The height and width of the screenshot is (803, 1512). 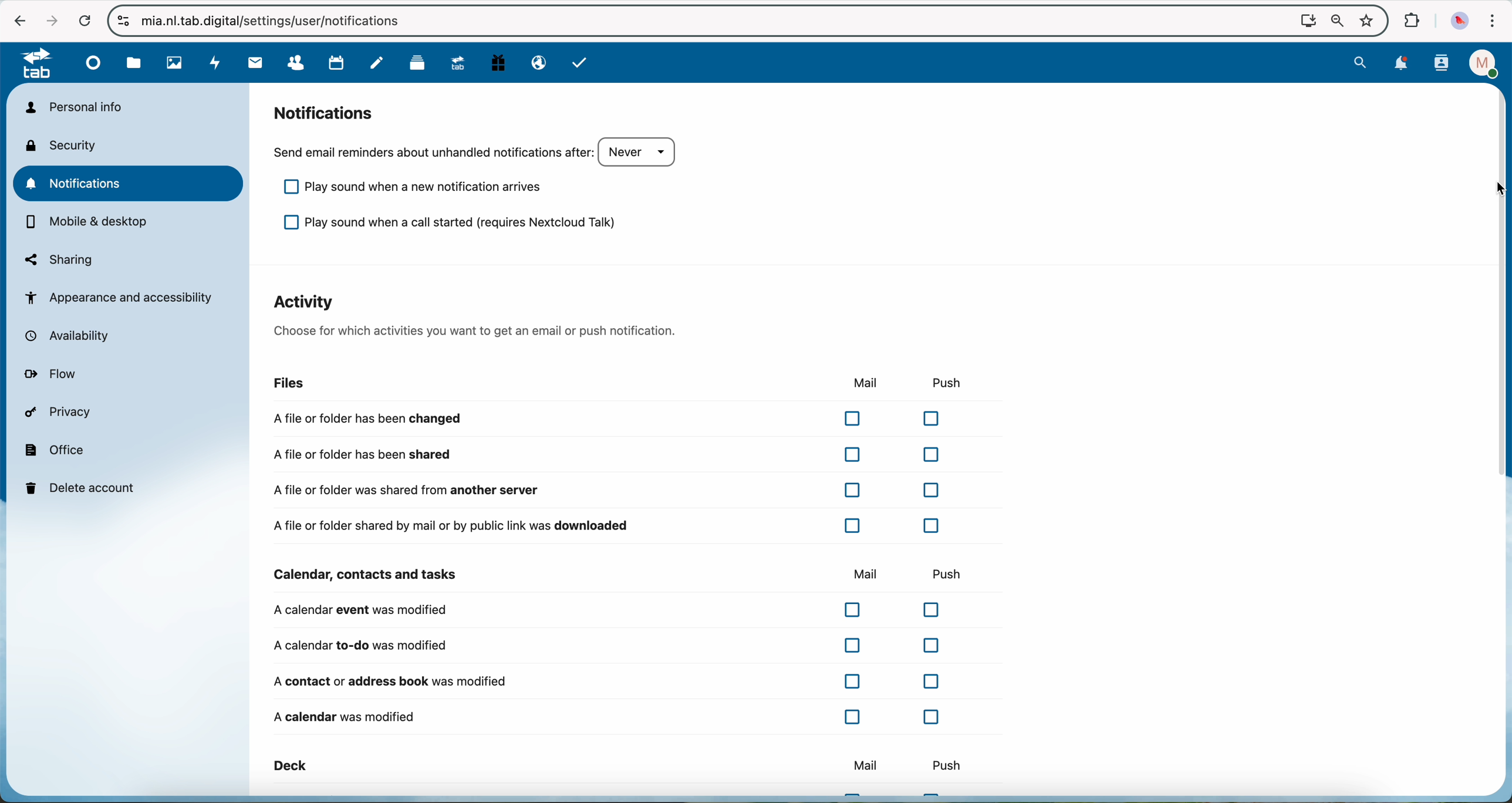 I want to click on send emails reminders, so click(x=477, y=152).